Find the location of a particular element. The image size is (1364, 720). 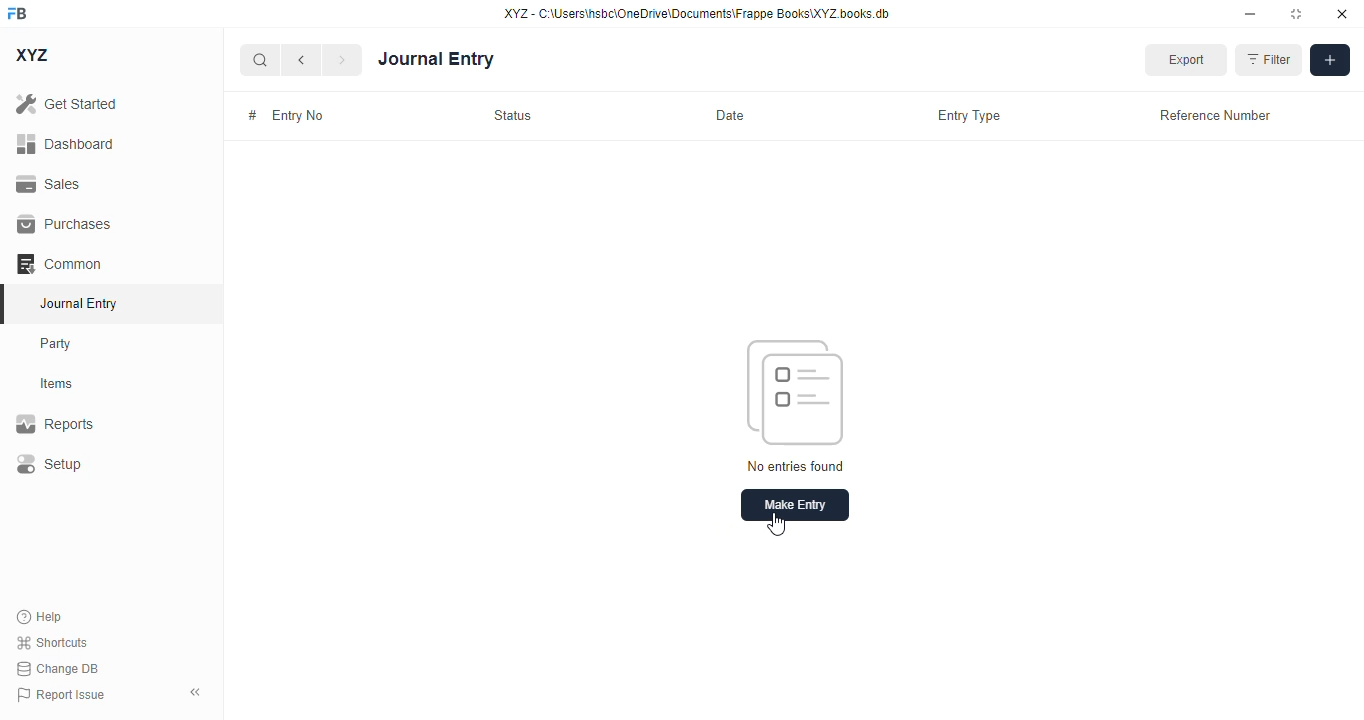

get started is located at coordinates (67, 104).